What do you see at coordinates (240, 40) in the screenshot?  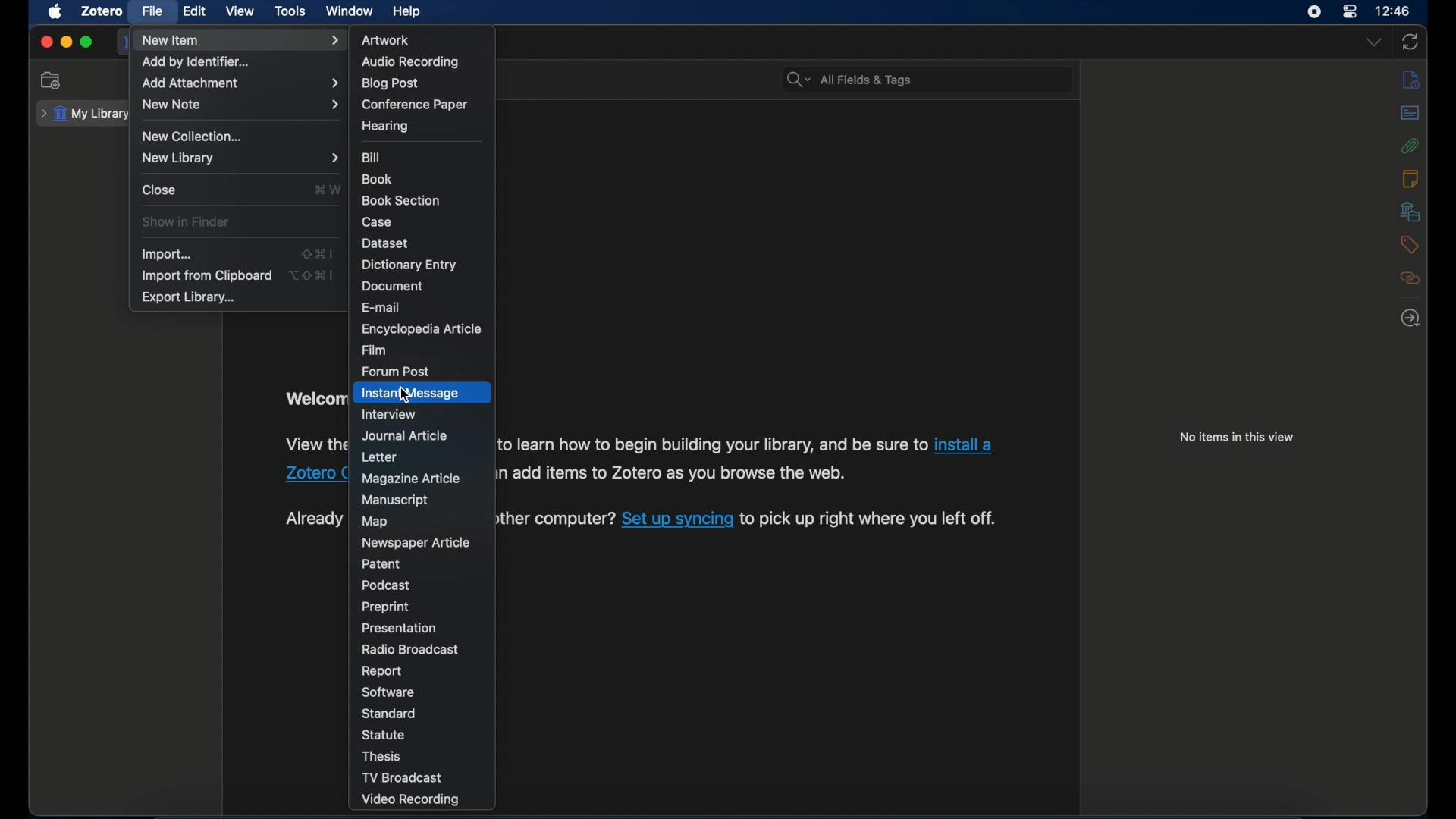 I see `new item` at bounding box center [240, 40].